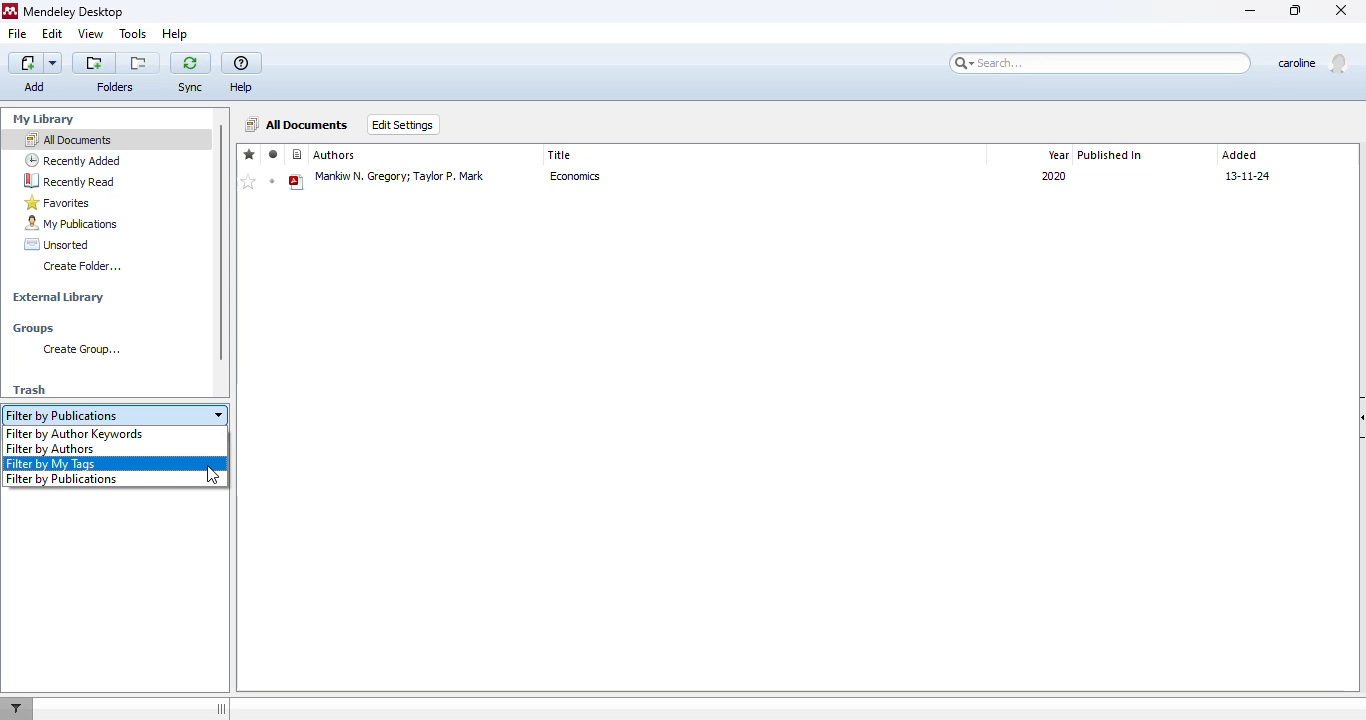 Image resolution: width=1366 pixels, height=720 pixels. What do you see at coordinates (1341, 10) in the screenshot?
I see `close` at bounding box center [1341, 10].